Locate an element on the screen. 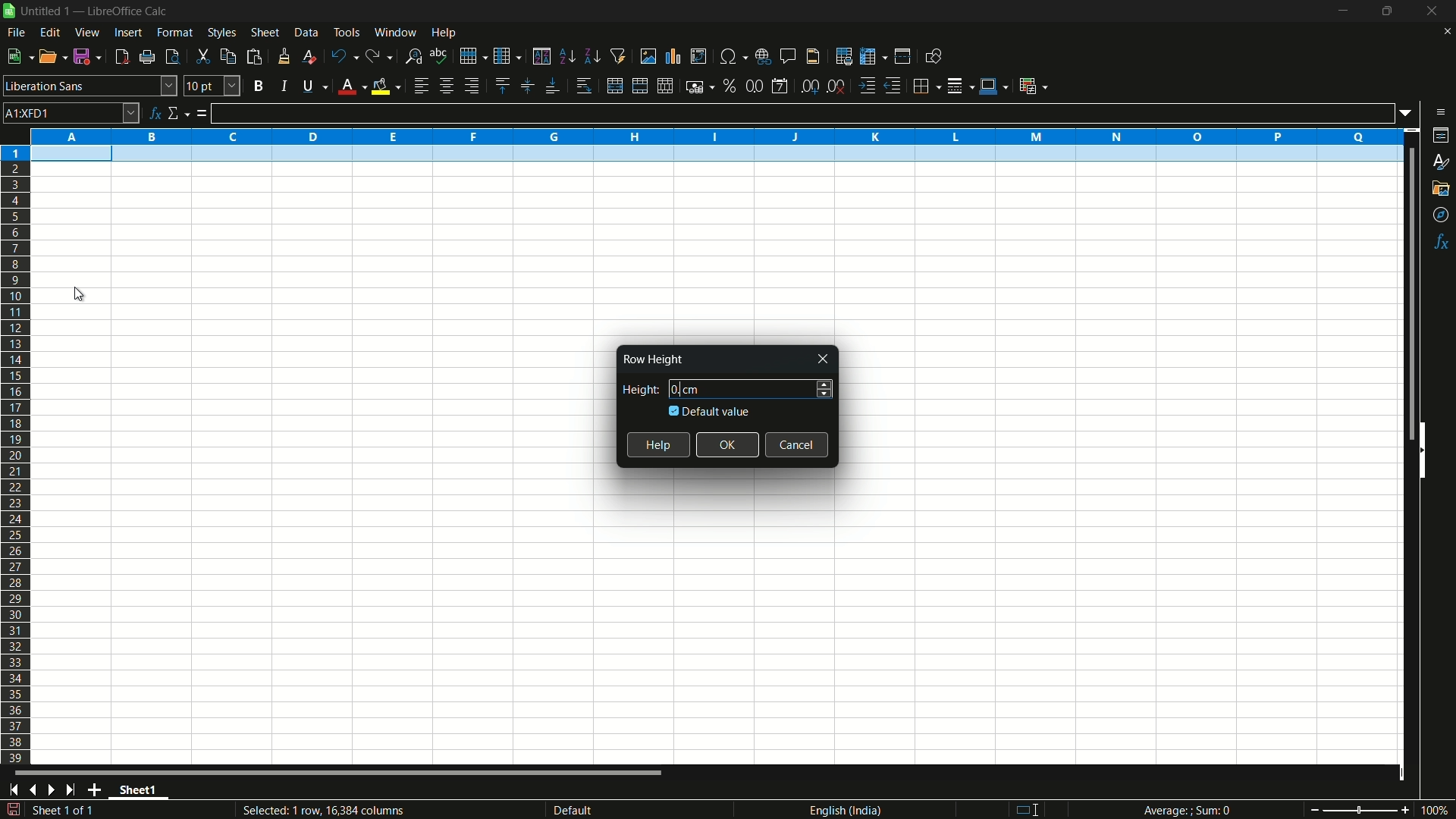 Image resolution: width=1456 pixels, height=819 pixels. spelling is located at coordinates (439, 55).